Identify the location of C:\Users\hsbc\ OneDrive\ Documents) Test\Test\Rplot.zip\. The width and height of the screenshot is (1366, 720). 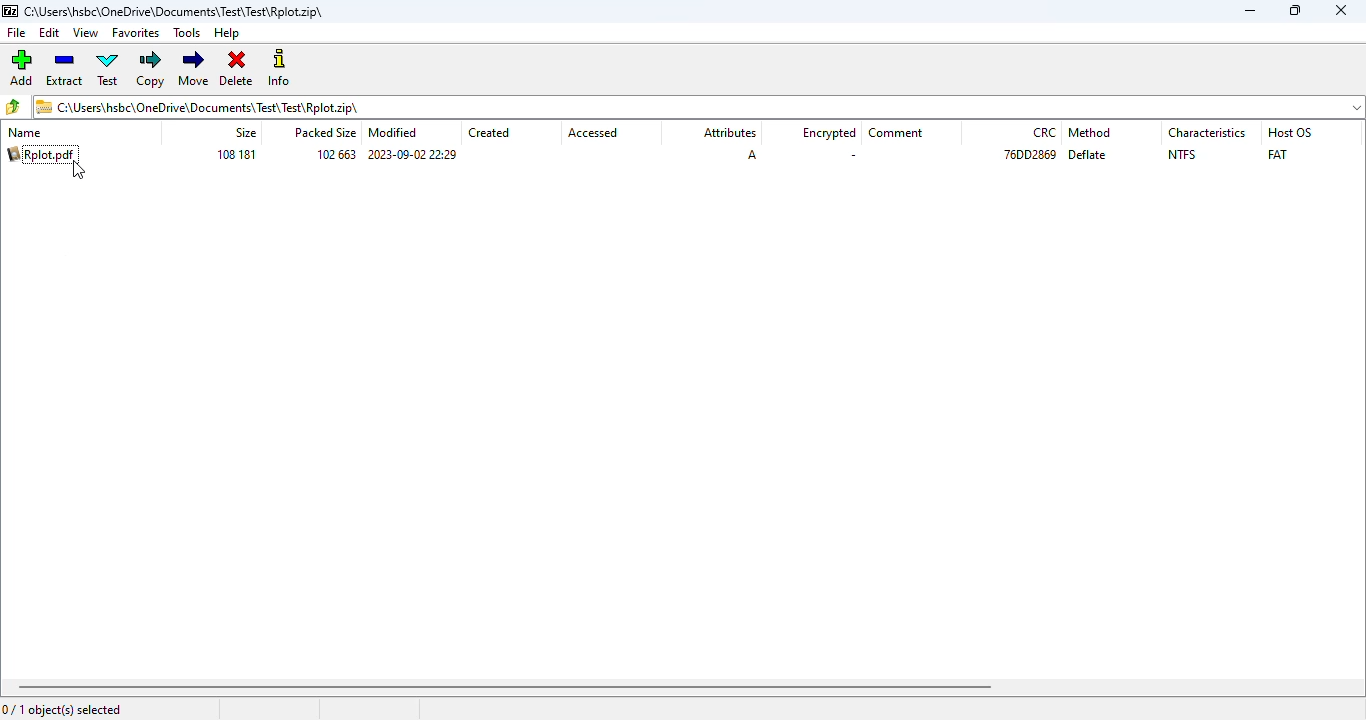
(698, 106).